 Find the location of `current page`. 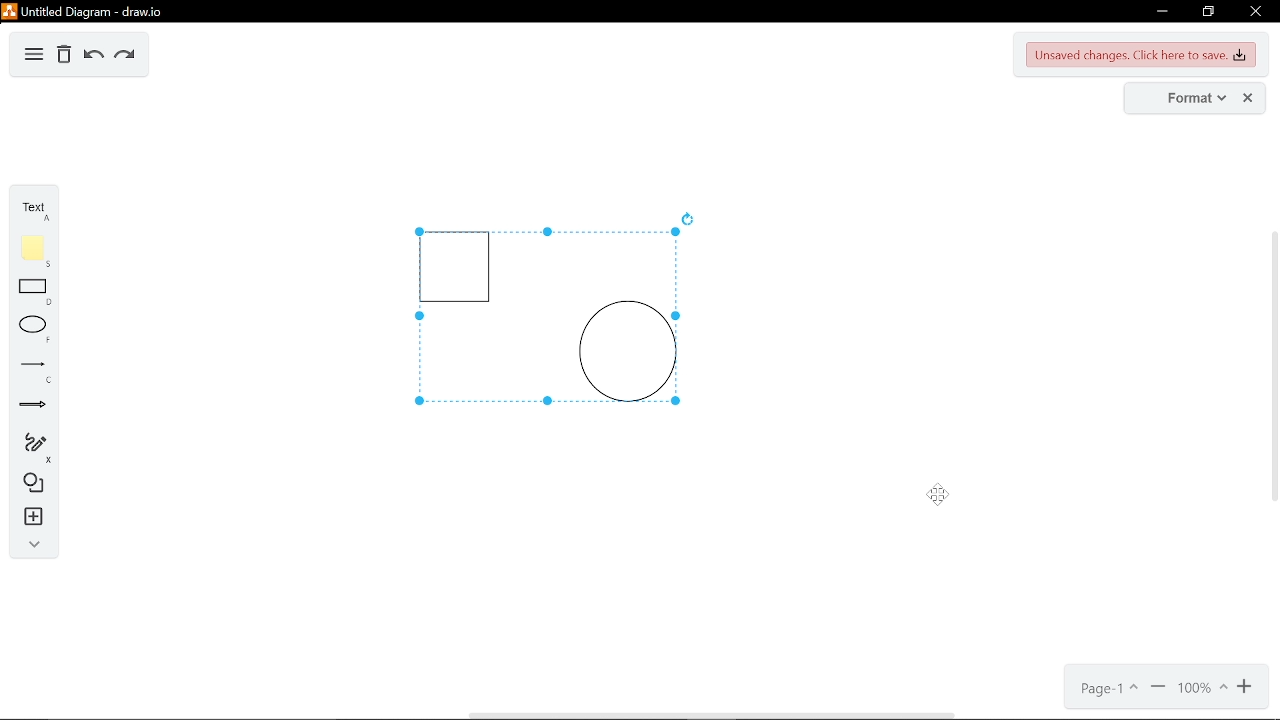

current page is located at coordinates (1106, 690).